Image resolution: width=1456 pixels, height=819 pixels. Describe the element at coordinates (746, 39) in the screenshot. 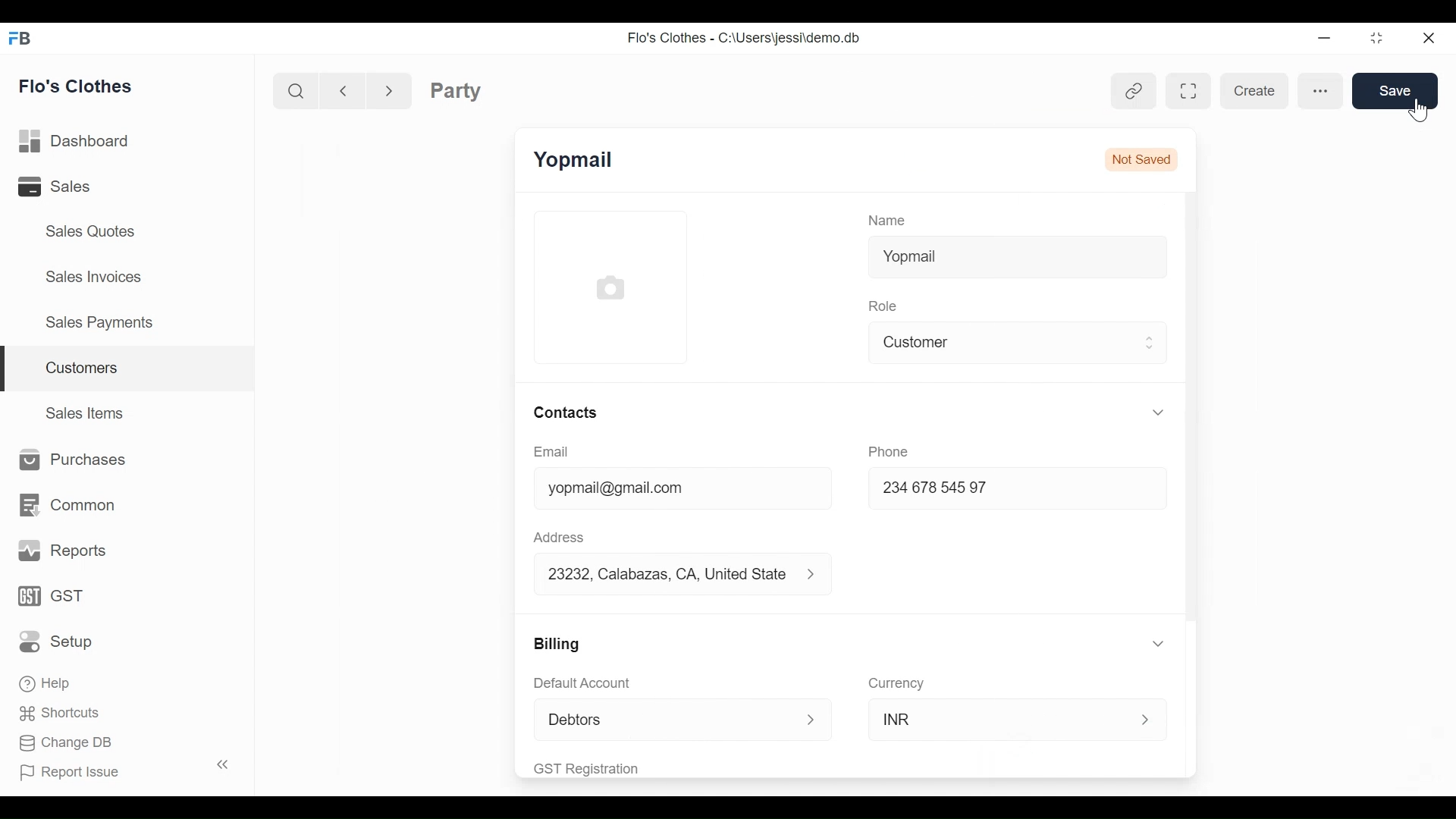

I see `Flo's Clothes - C:\Users\jessi\demo.db` at that location.